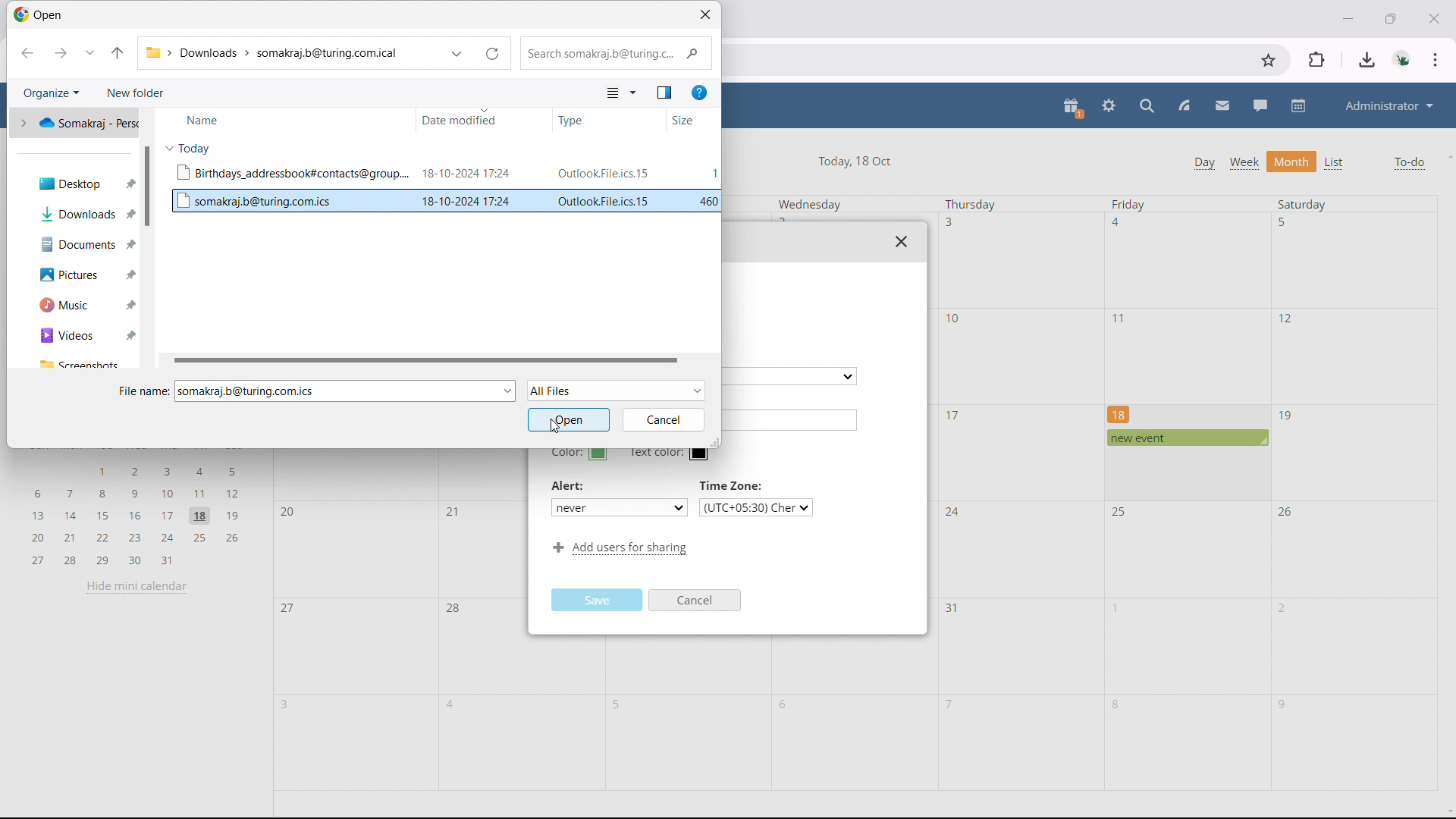 The height and width of the screenshot is (819, 1456). Describe the element at coordinates (143, 391) in the screenshot. I see `File name:` at that location.